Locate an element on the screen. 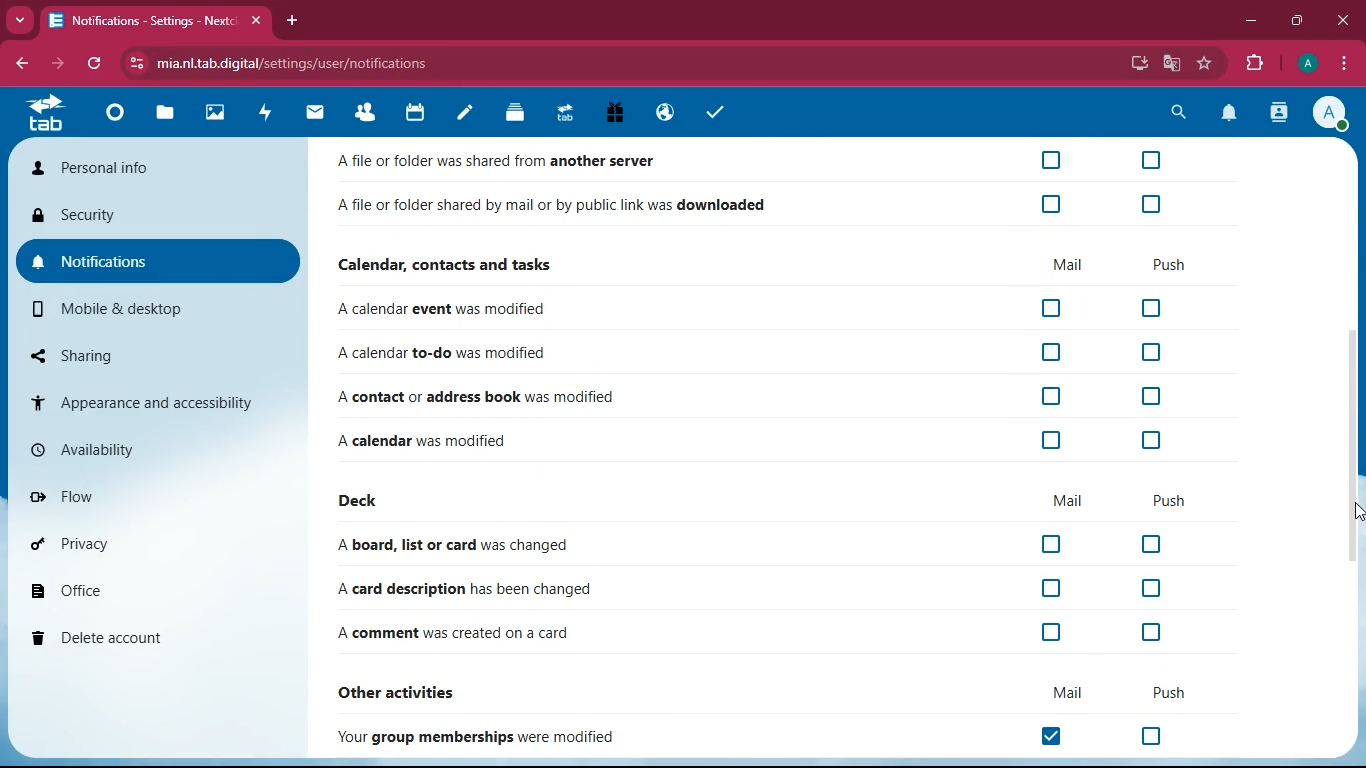  security is located at coordinates (160, 219).